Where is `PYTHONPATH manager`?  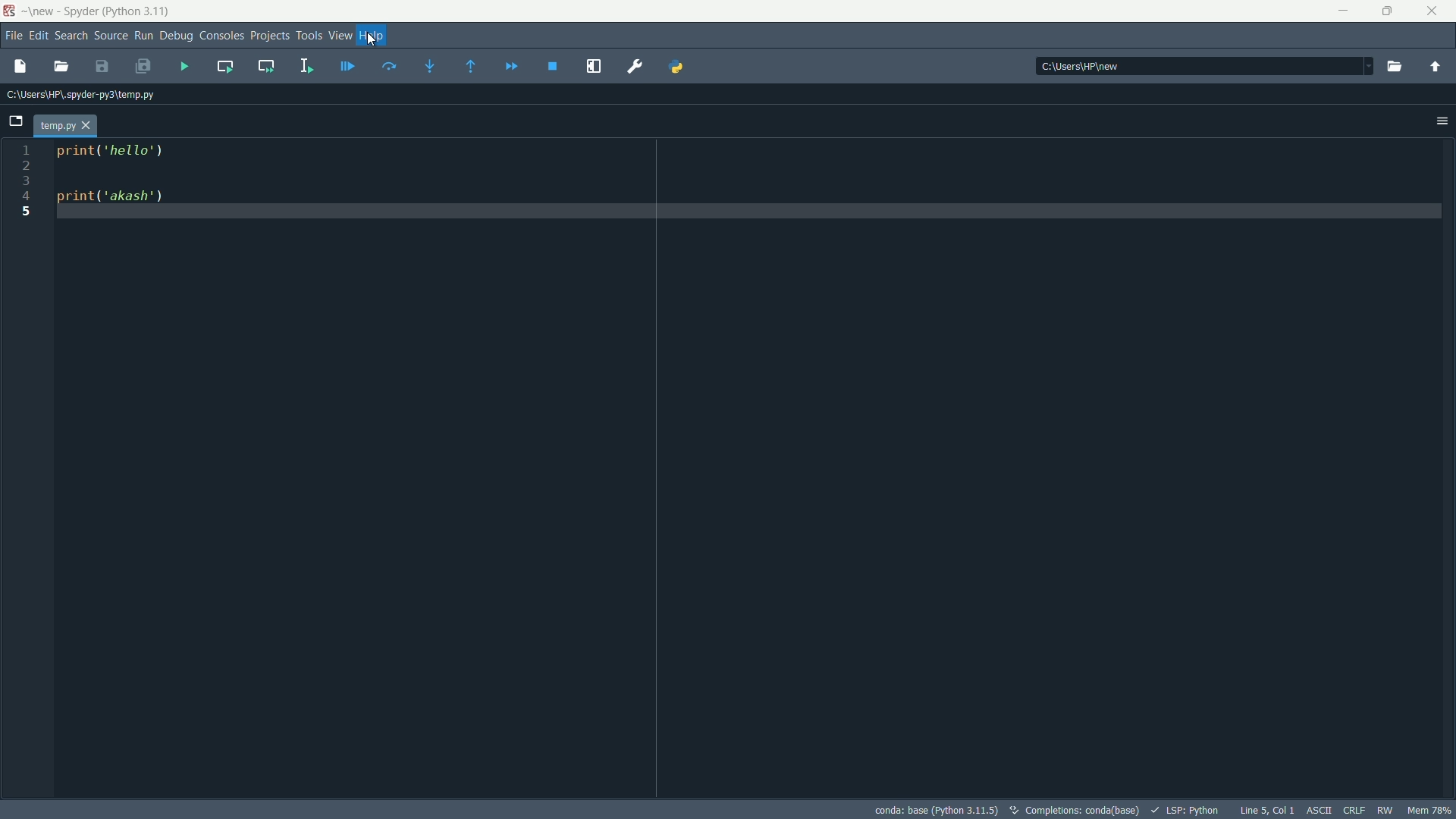 PYTHONPATH manager is located at coordinates (679, 67).